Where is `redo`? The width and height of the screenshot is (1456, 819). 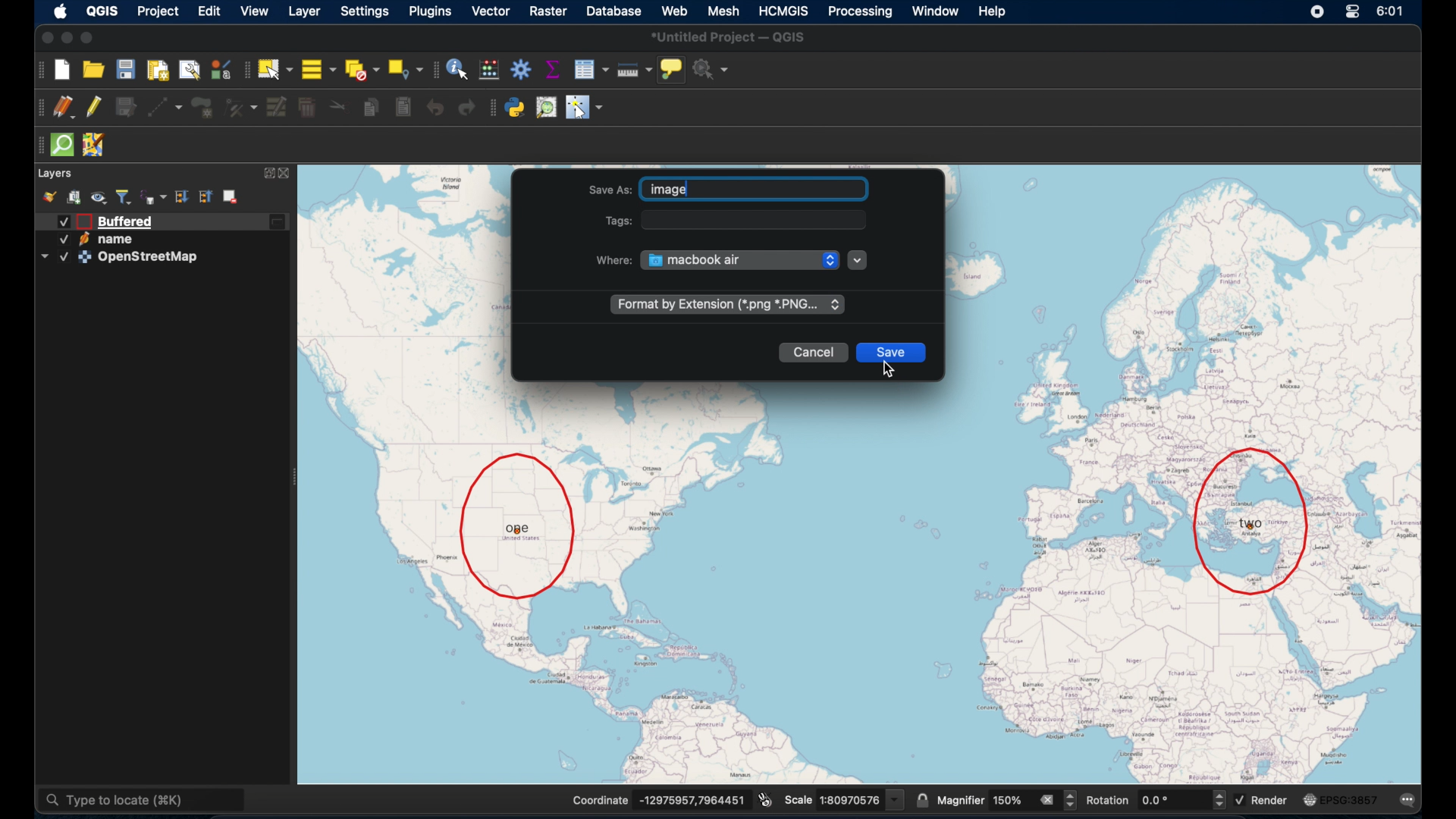
redo is located at coordinates (466, 108).